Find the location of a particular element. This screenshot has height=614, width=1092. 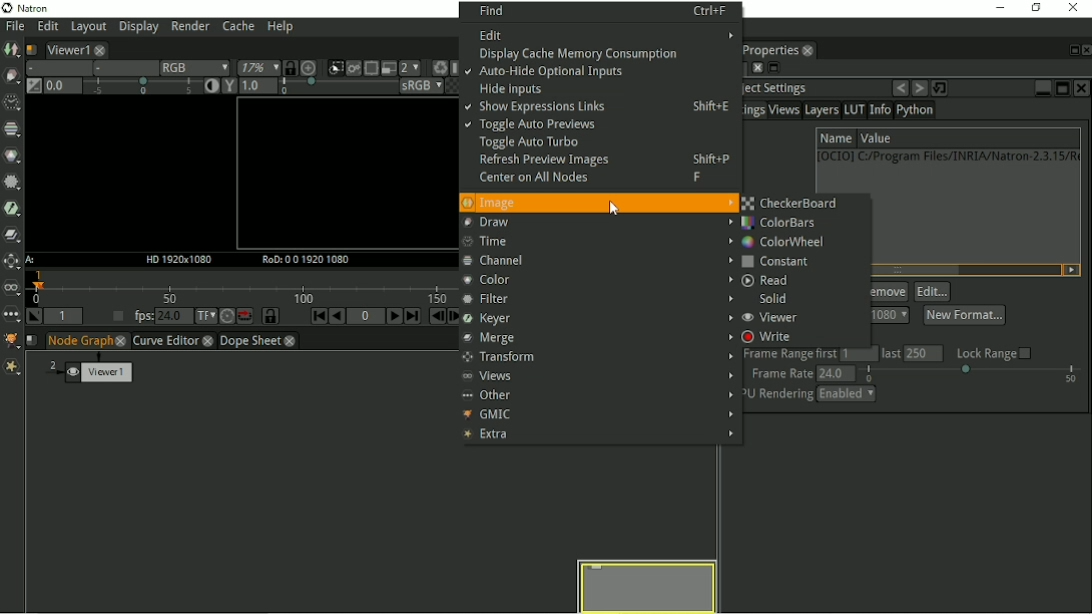

Remove is located at coordinates (889, 292).